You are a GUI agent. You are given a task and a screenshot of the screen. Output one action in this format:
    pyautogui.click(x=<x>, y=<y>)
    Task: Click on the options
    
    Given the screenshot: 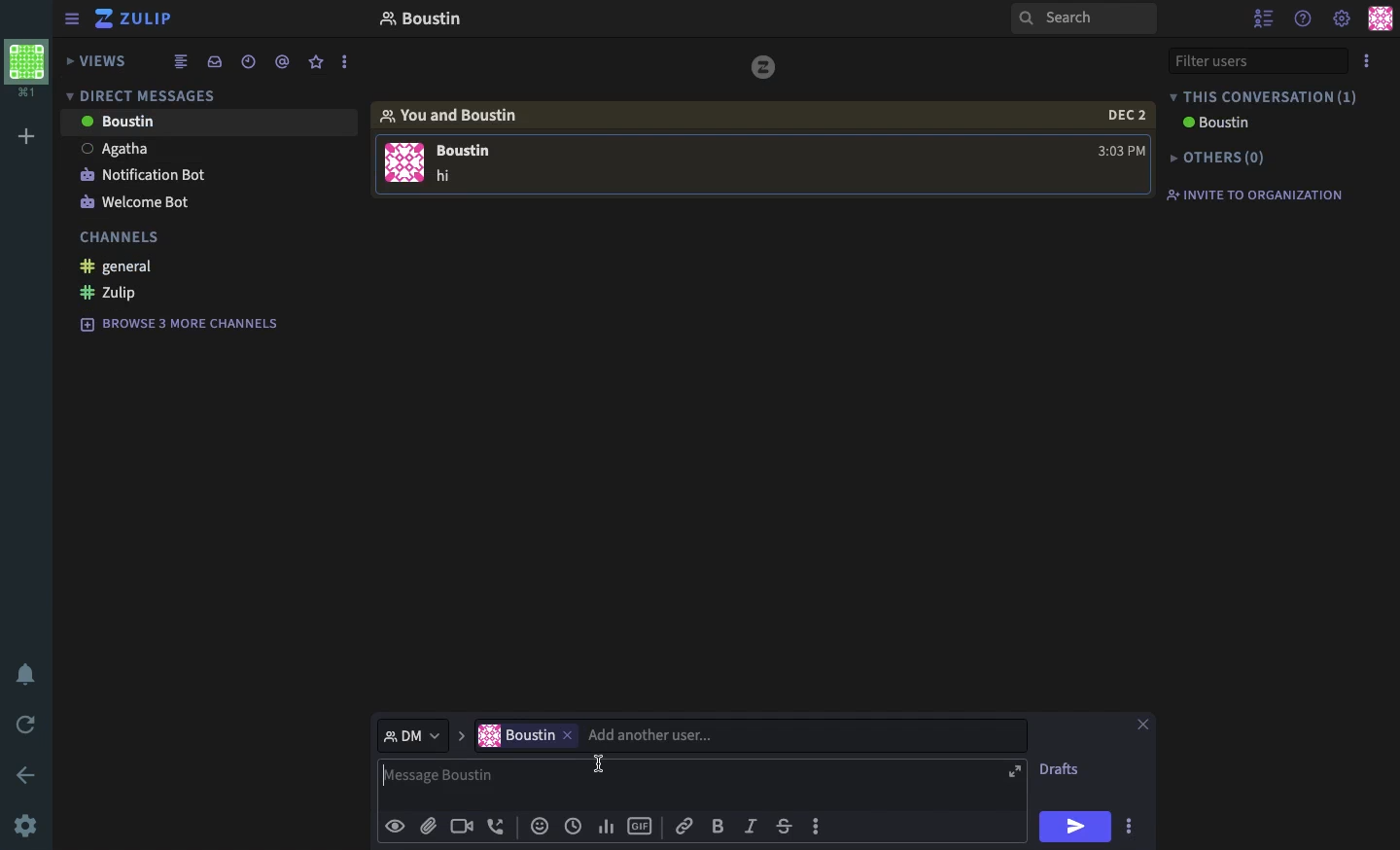 What is the action you would take?
    pyautogui.click(x=345, y=62)
    